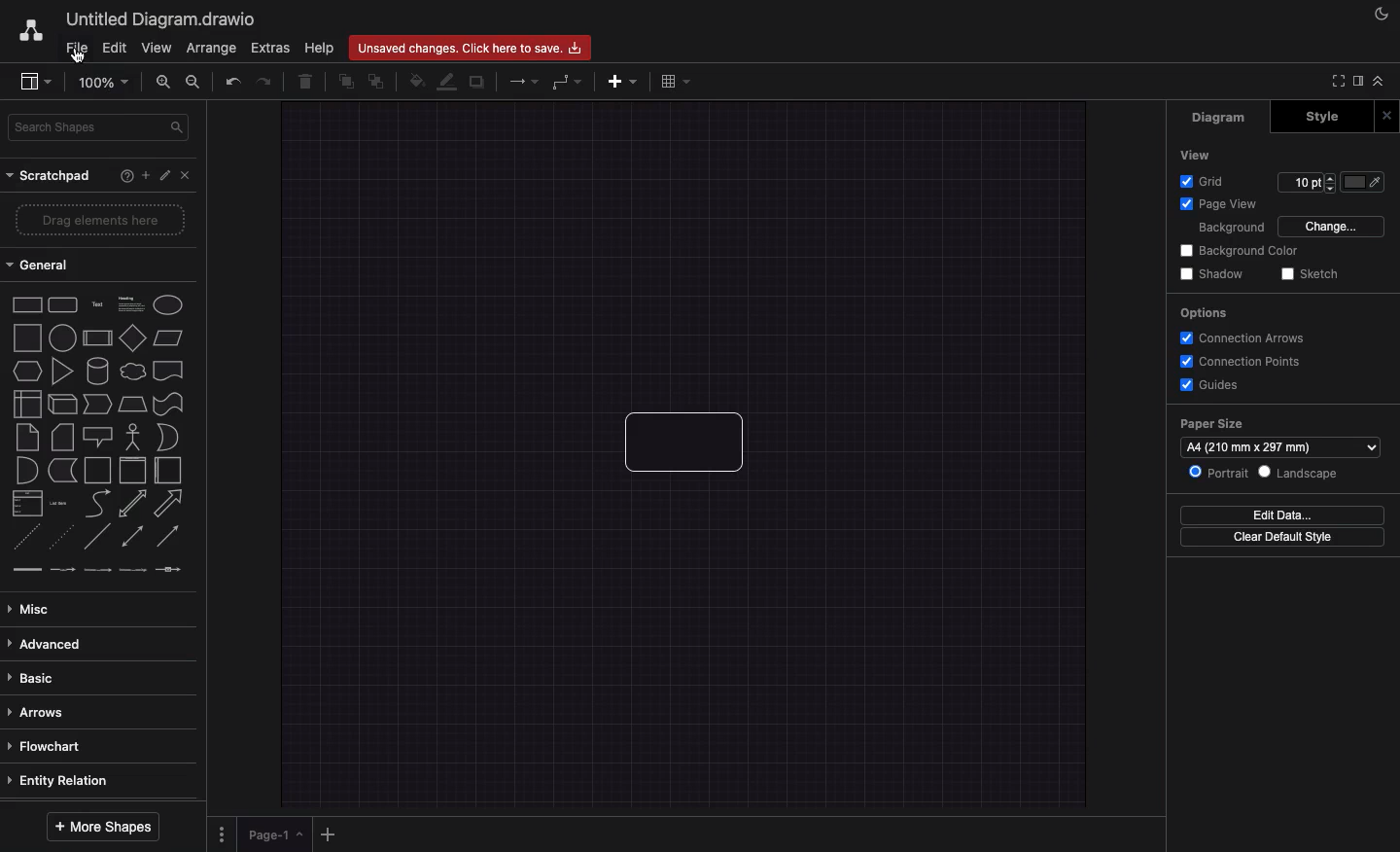 The image size is (1400, 852). What do you see at coordinates (379, 84) in the screenshot?
I see `To back` at bounding box center [379, 84].